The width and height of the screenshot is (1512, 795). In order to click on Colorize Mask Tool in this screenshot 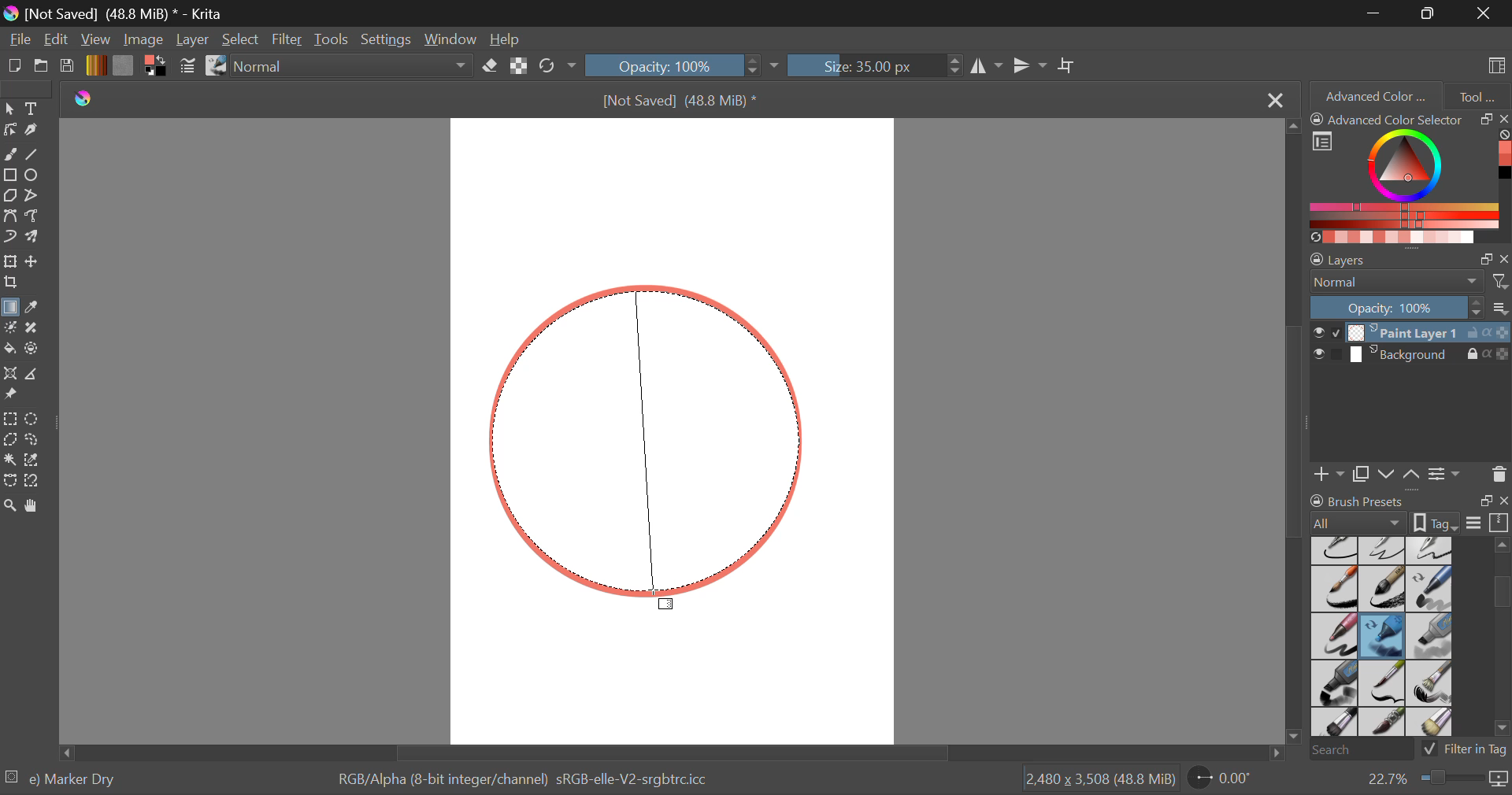, I will do `click(11, 329)`.